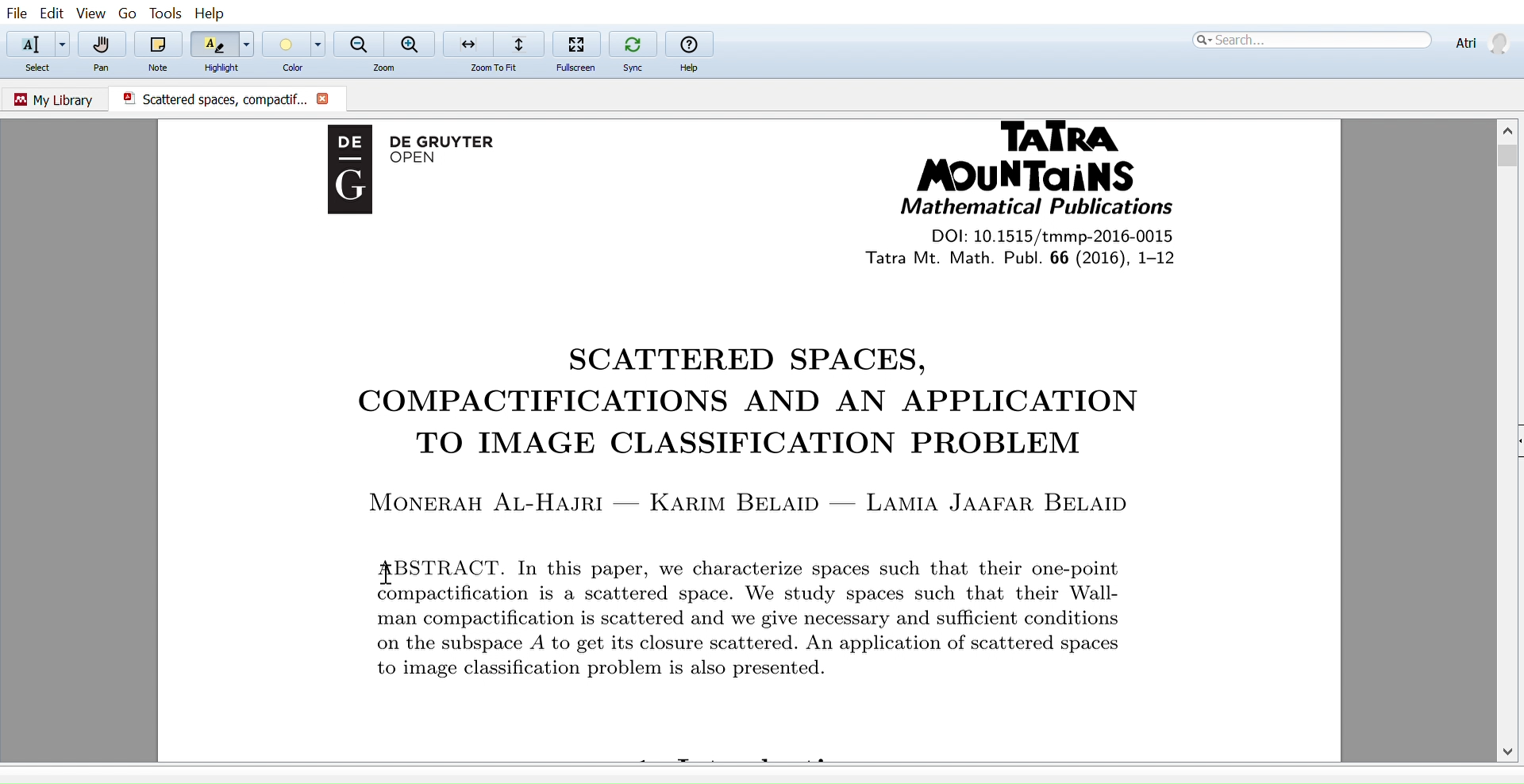  I want to click on Move up, so click(1510, 128).